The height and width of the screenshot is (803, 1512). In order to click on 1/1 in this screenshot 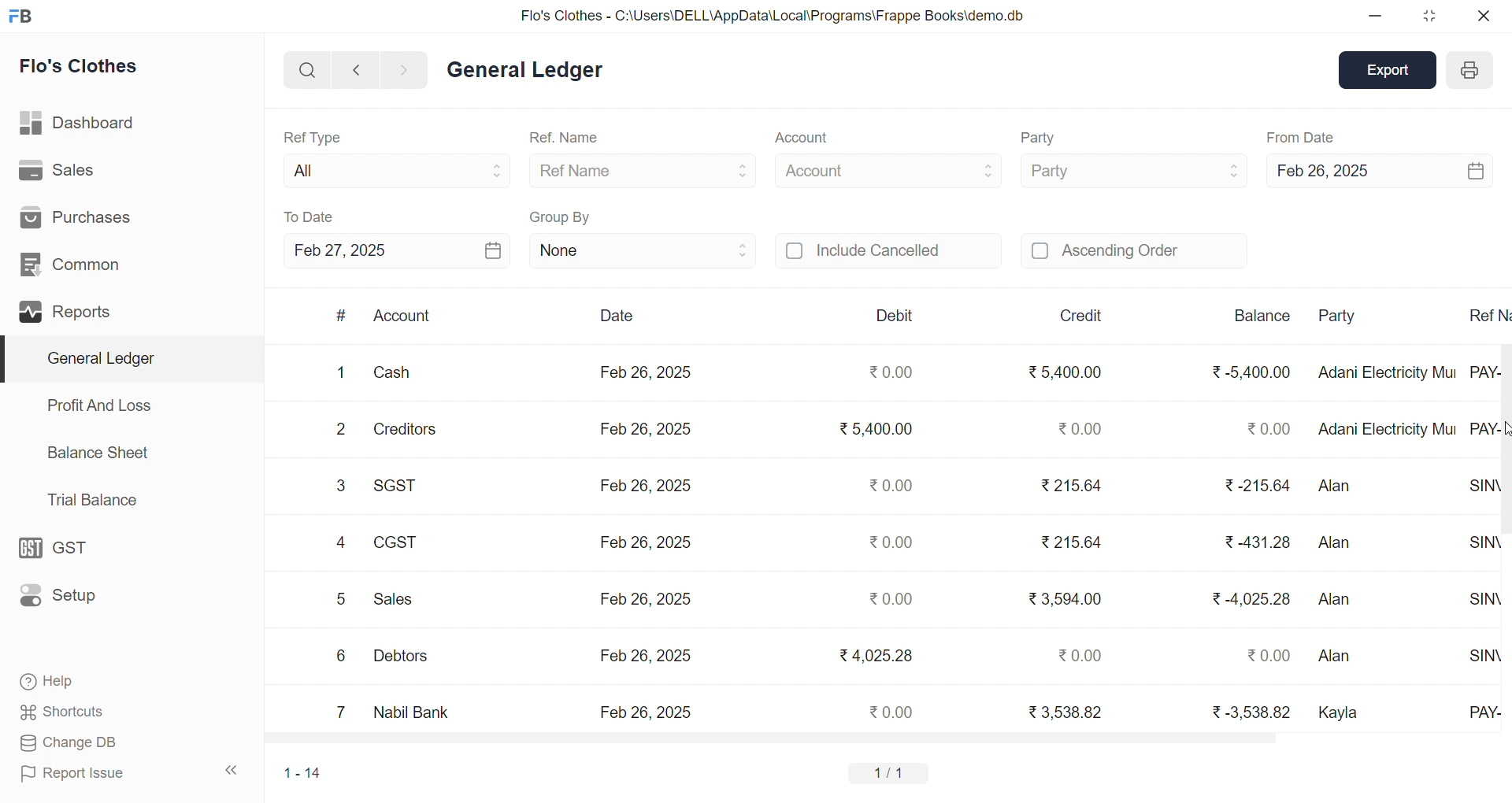, I will do `click(892, 772)`.